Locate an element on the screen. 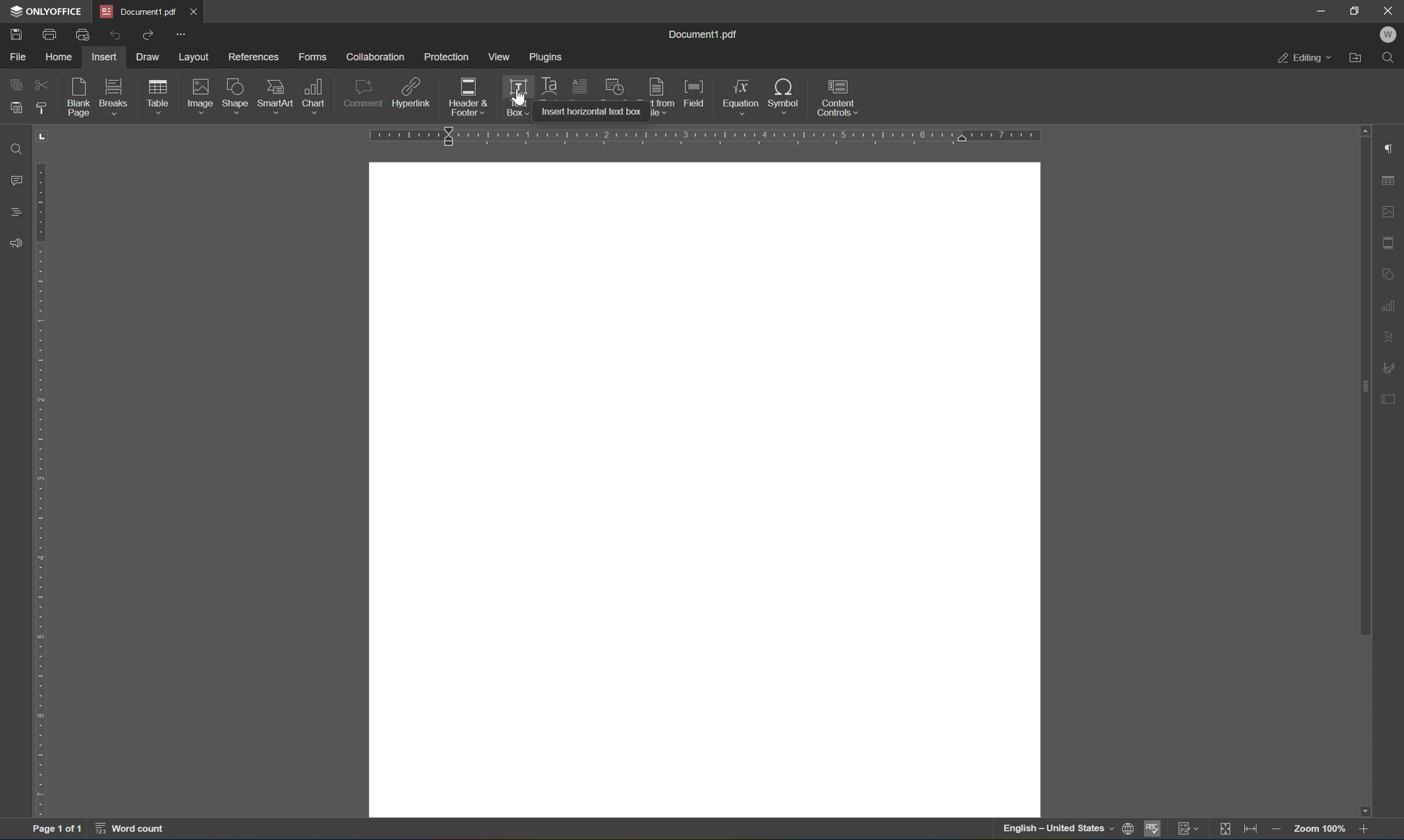 The width and height of the screenshot is (1404, 840). equation is located at coordinates (741, 97).